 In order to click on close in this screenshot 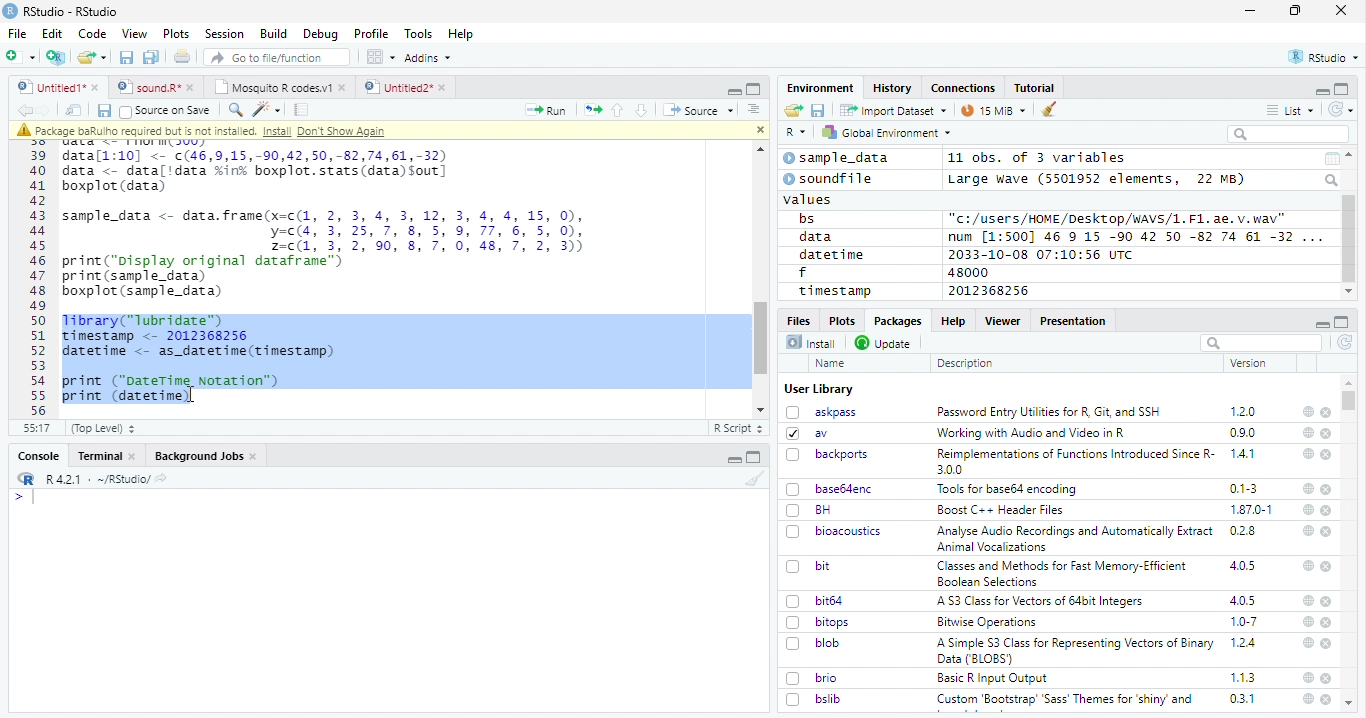, I will do `click(1326, 489)`.